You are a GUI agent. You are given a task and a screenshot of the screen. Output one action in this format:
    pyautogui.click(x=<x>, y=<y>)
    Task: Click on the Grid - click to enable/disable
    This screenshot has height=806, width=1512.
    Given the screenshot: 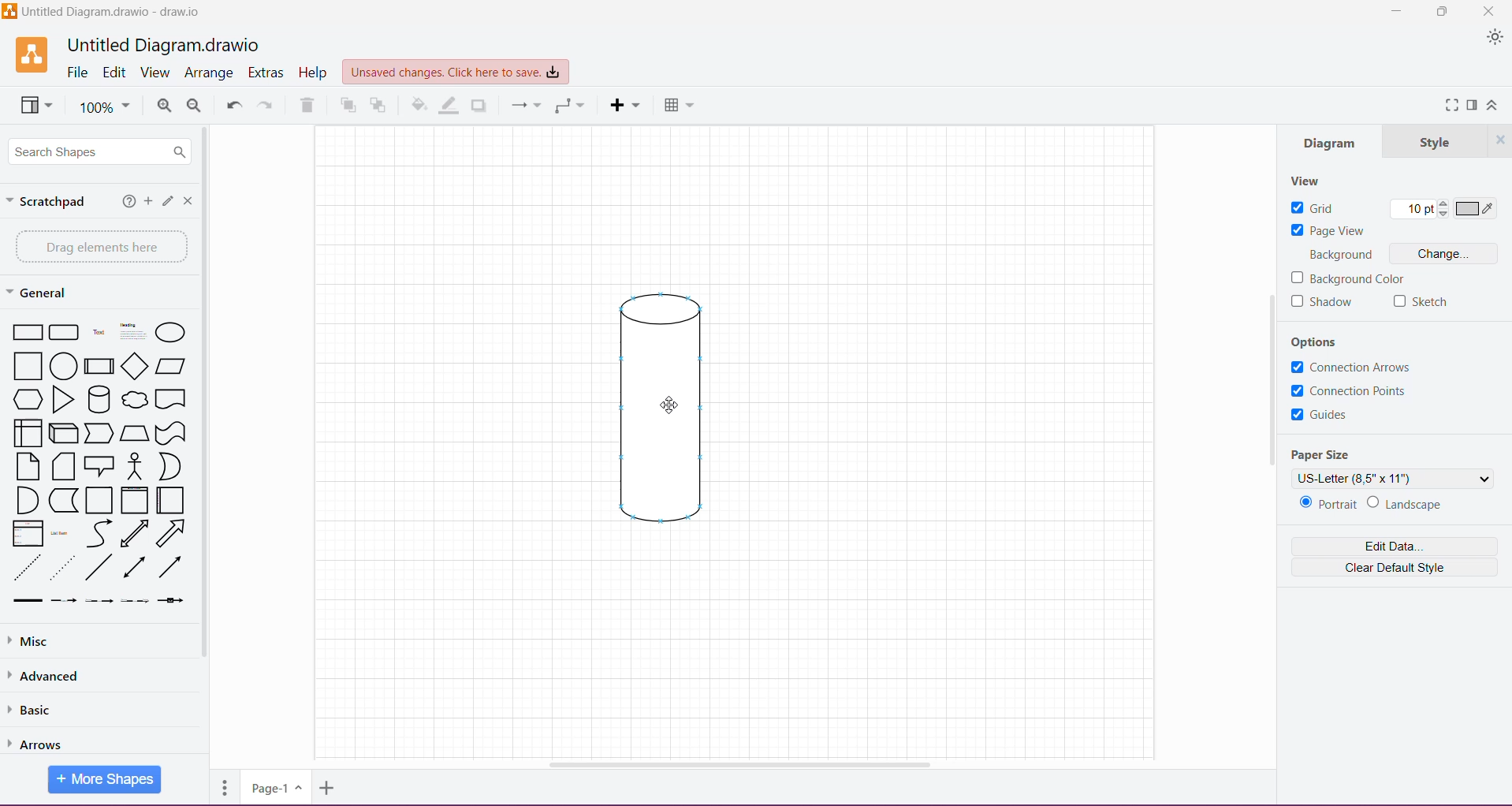 What is the action you would take?
    pyautogui.click(x=1313, y=208)
    